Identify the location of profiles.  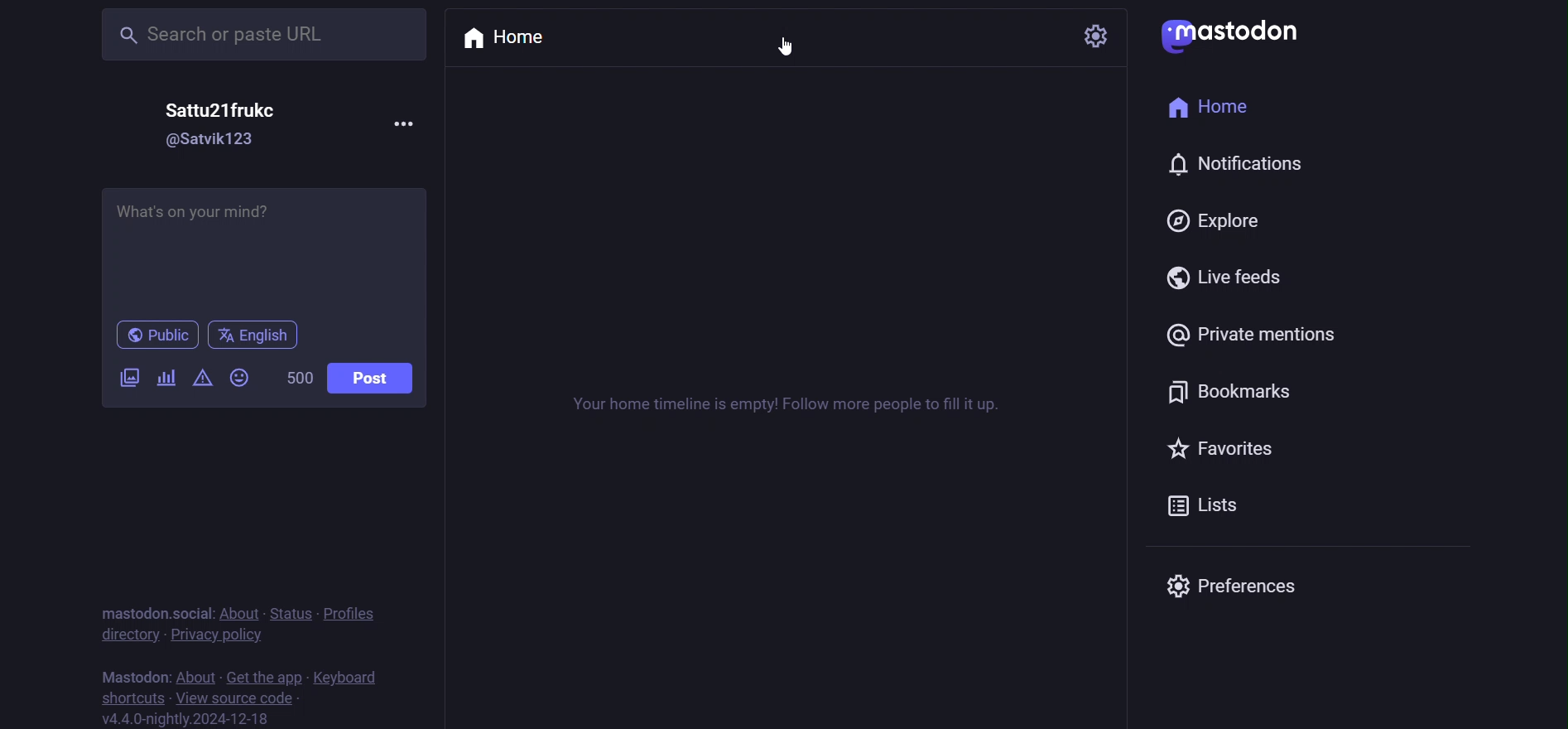
(349, 616).